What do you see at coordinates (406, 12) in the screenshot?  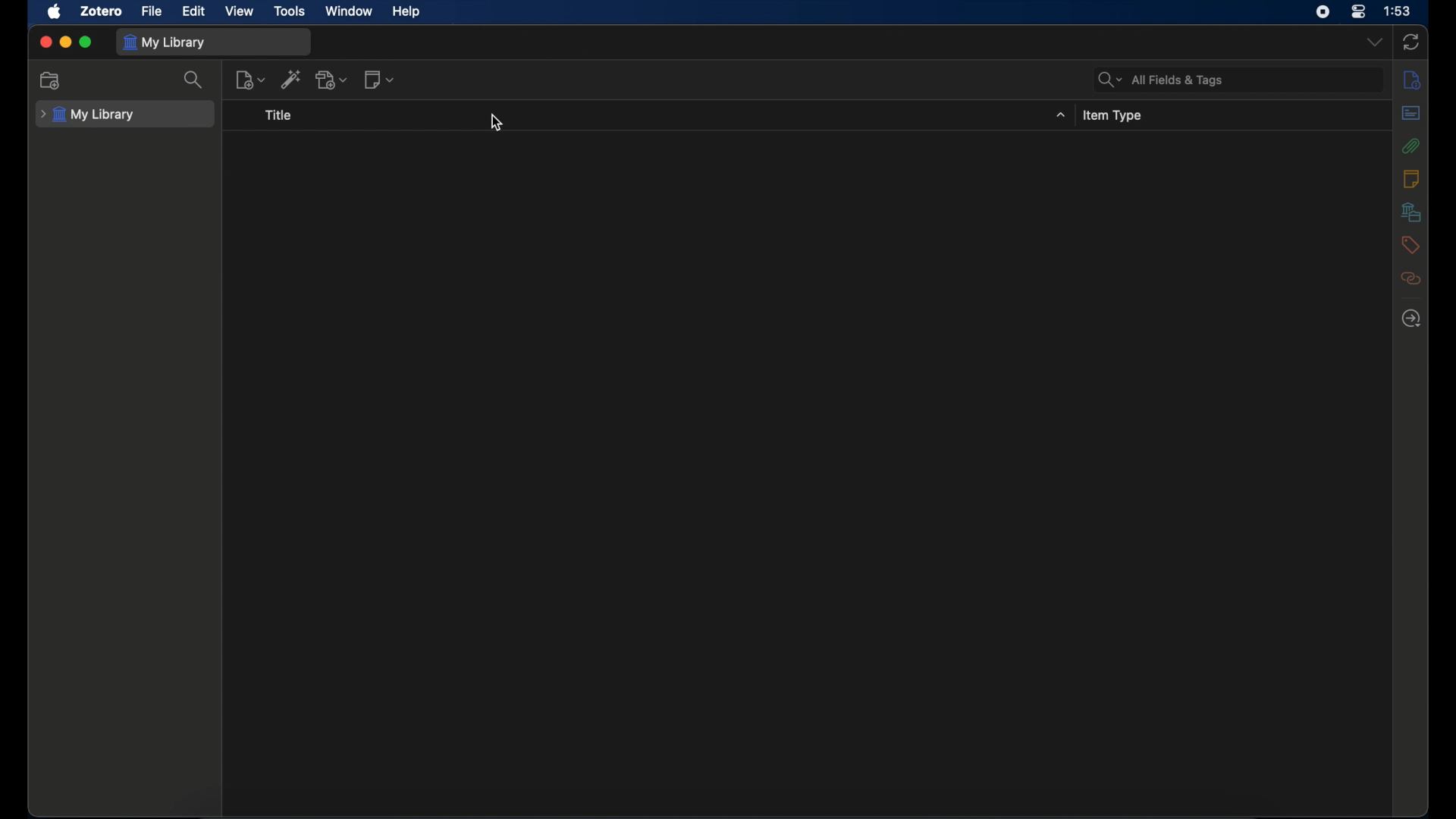 I see `help` at bounding box center [406, 12].